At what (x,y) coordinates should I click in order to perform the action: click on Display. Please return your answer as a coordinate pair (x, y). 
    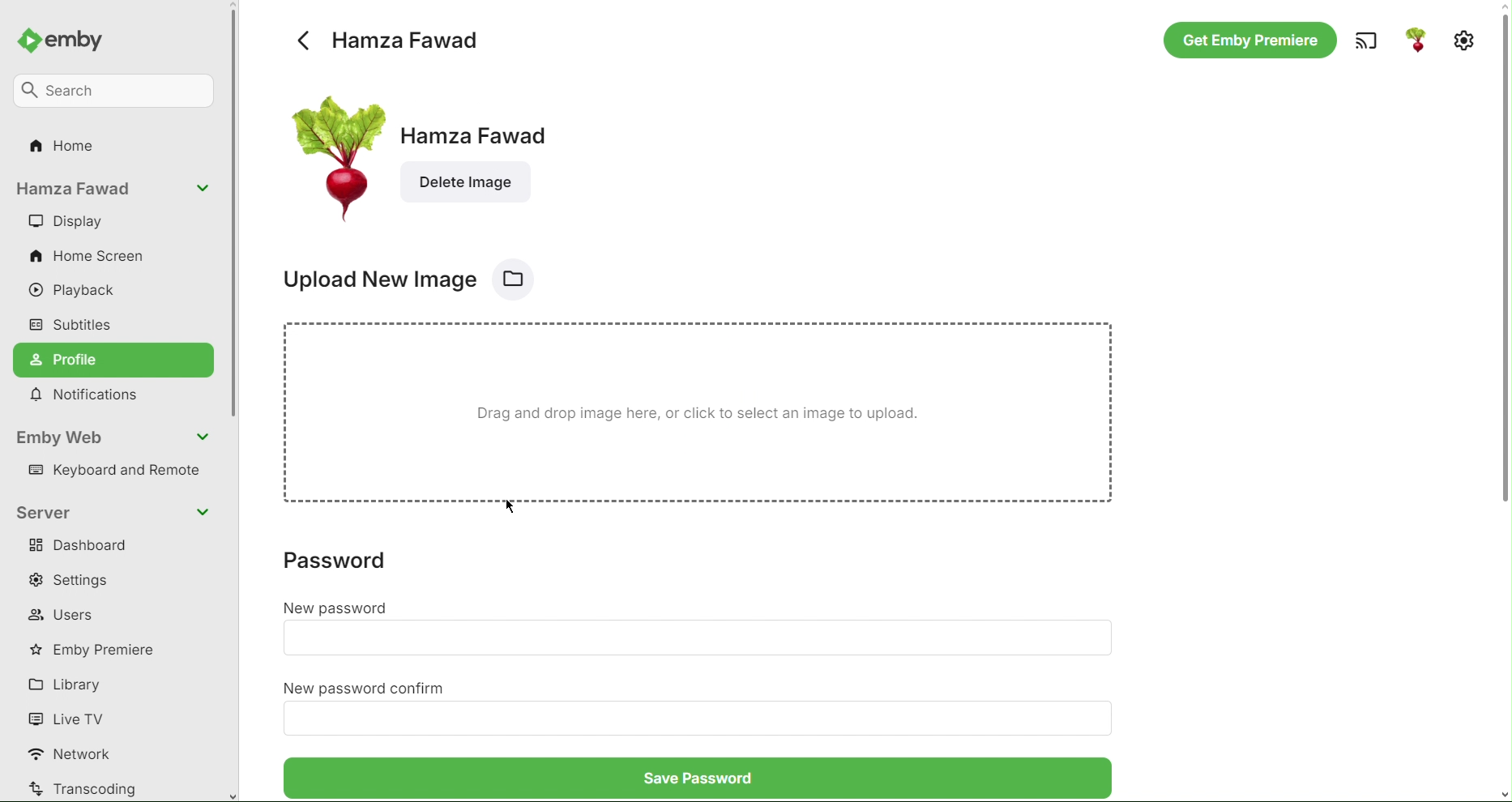
    Looking at the image, I should click on (66, 222).